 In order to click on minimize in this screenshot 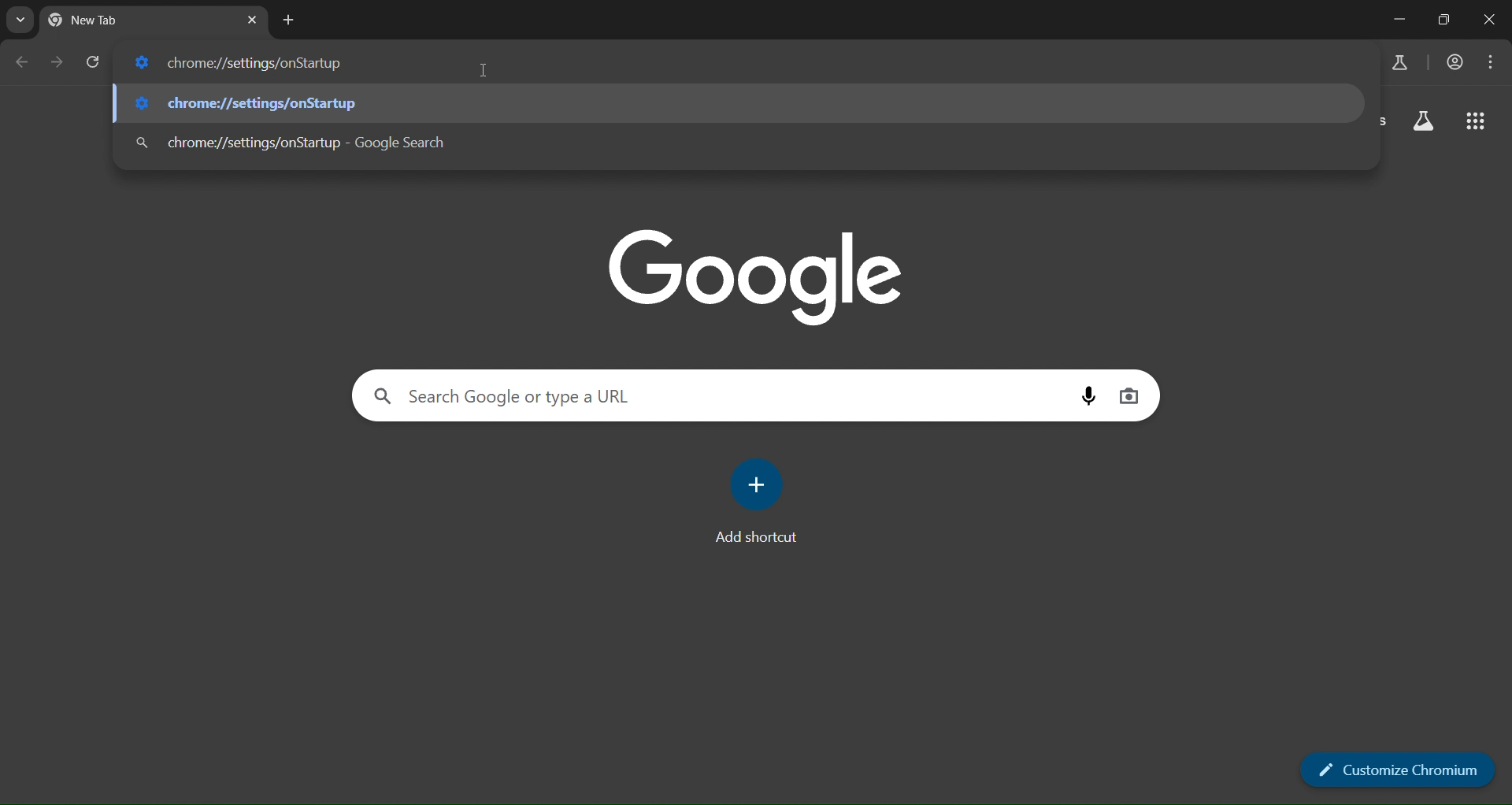, I will do `click(1398, 19)`.